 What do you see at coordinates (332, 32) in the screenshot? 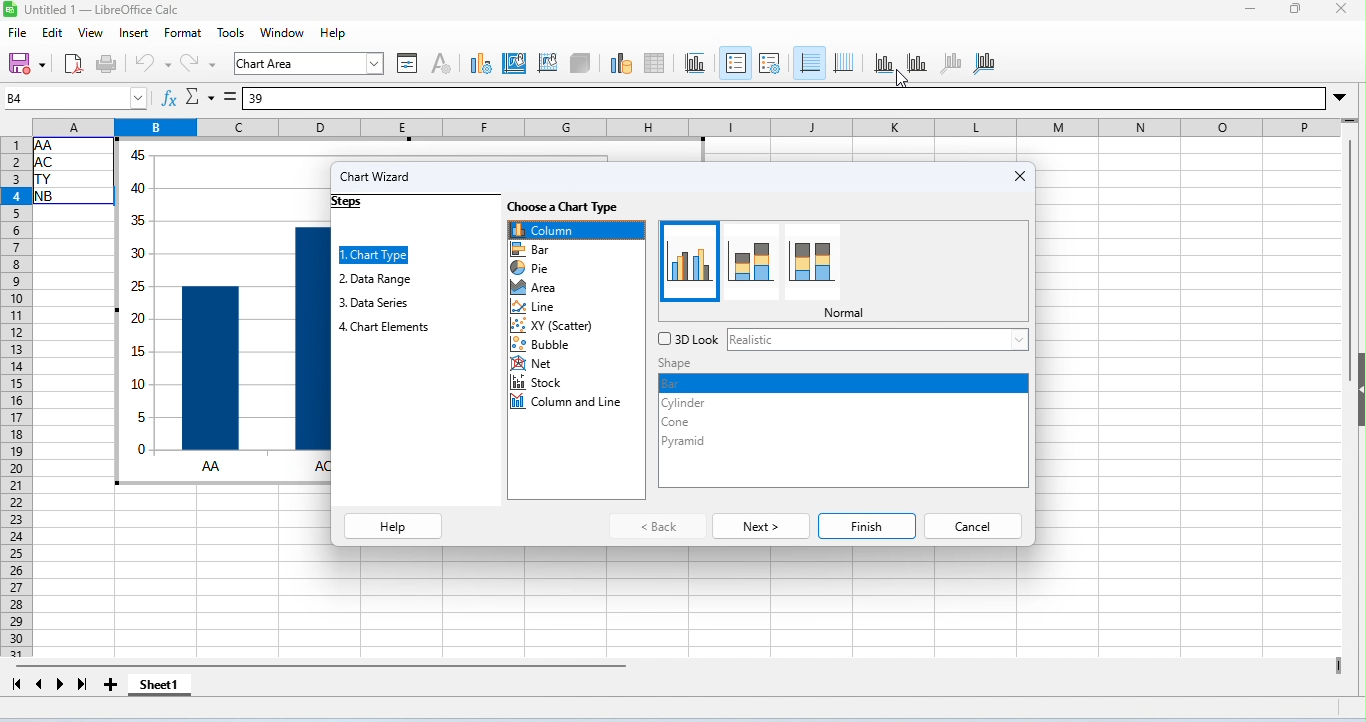
I see `help ` at bounding box center [332, 32].